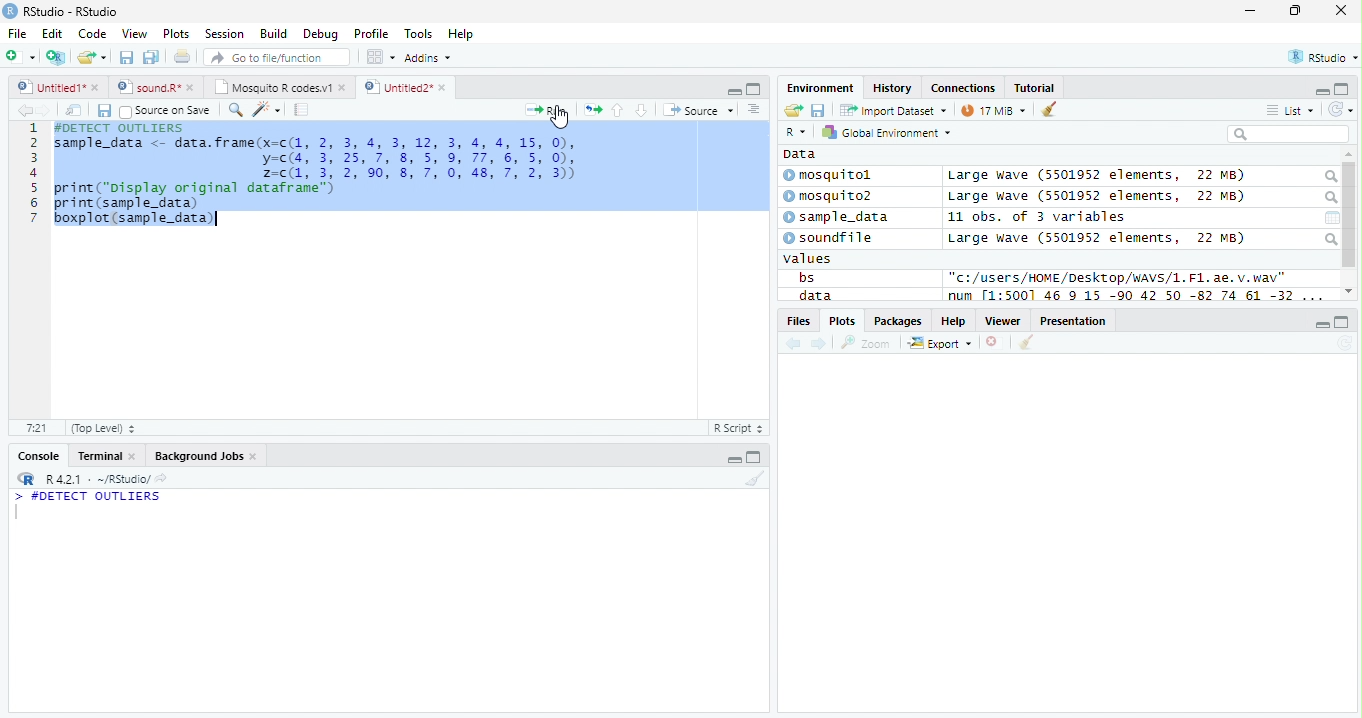 The image size is (1362, 718). What do you see at coordinates (430, 57) in the screenshot?
I see `Addins` at bounding box center [430, 57].